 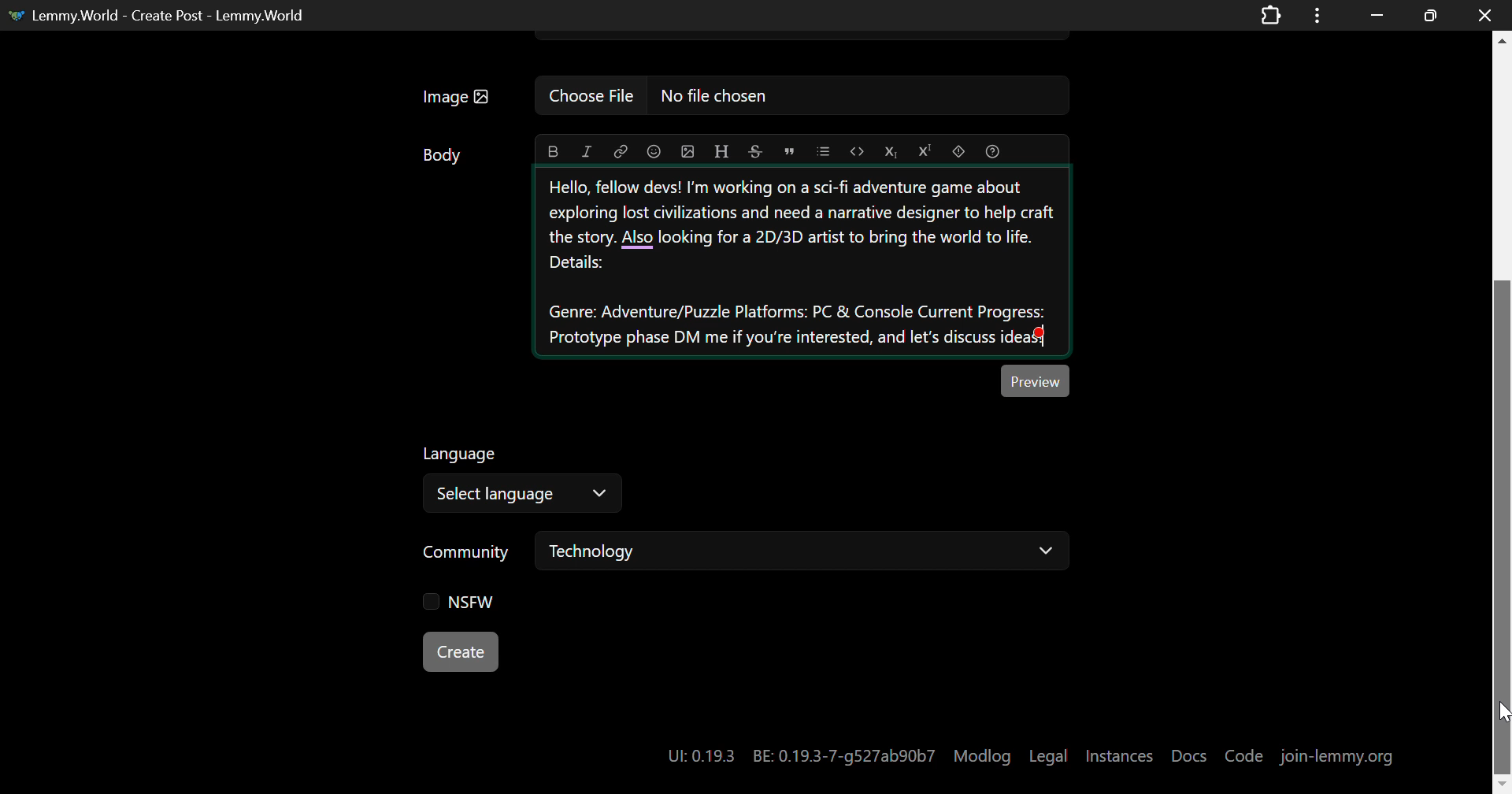 I want to click on Code, so click(x=1244, y=755).